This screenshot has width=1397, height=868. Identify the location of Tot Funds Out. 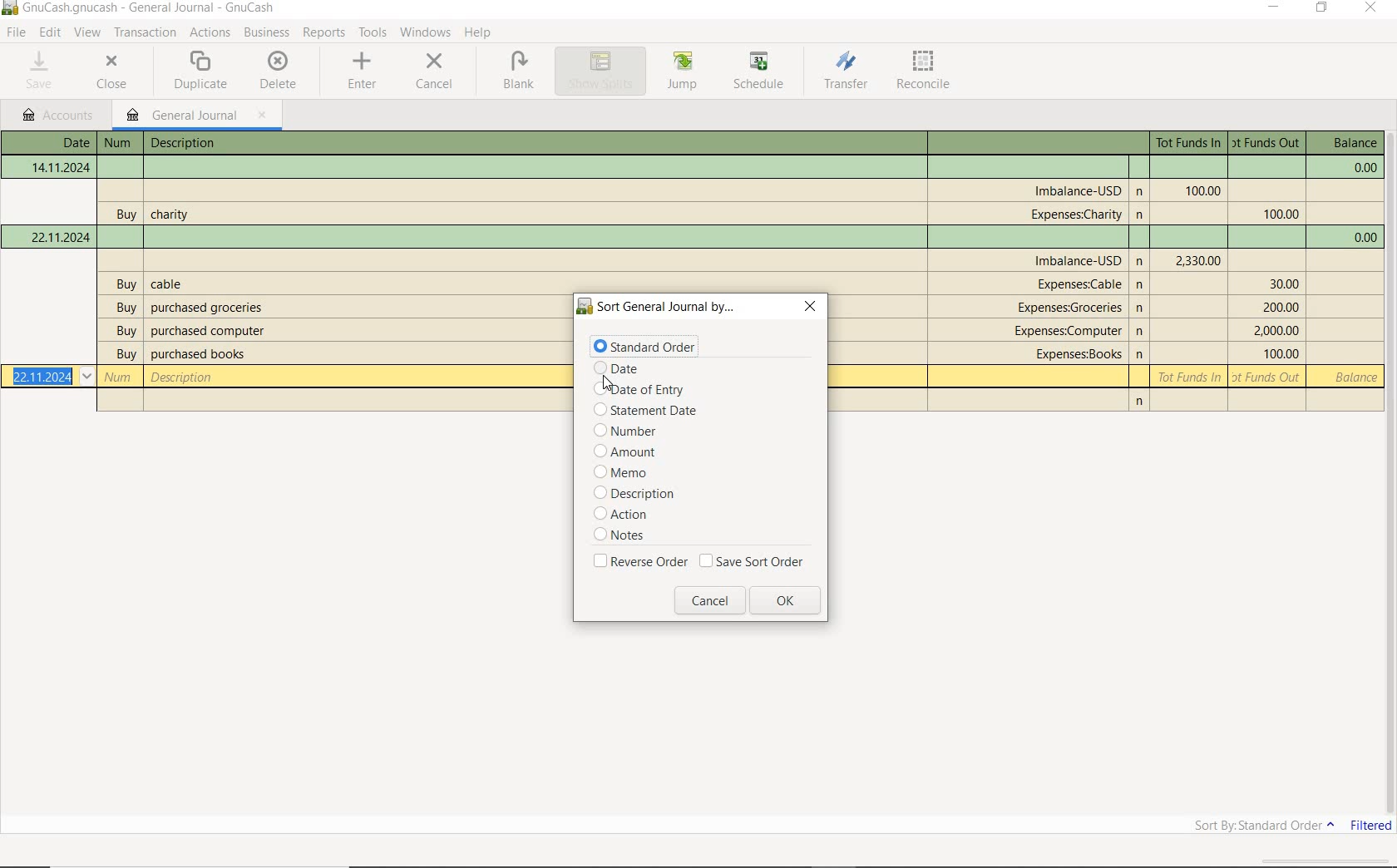
(1283, 284).